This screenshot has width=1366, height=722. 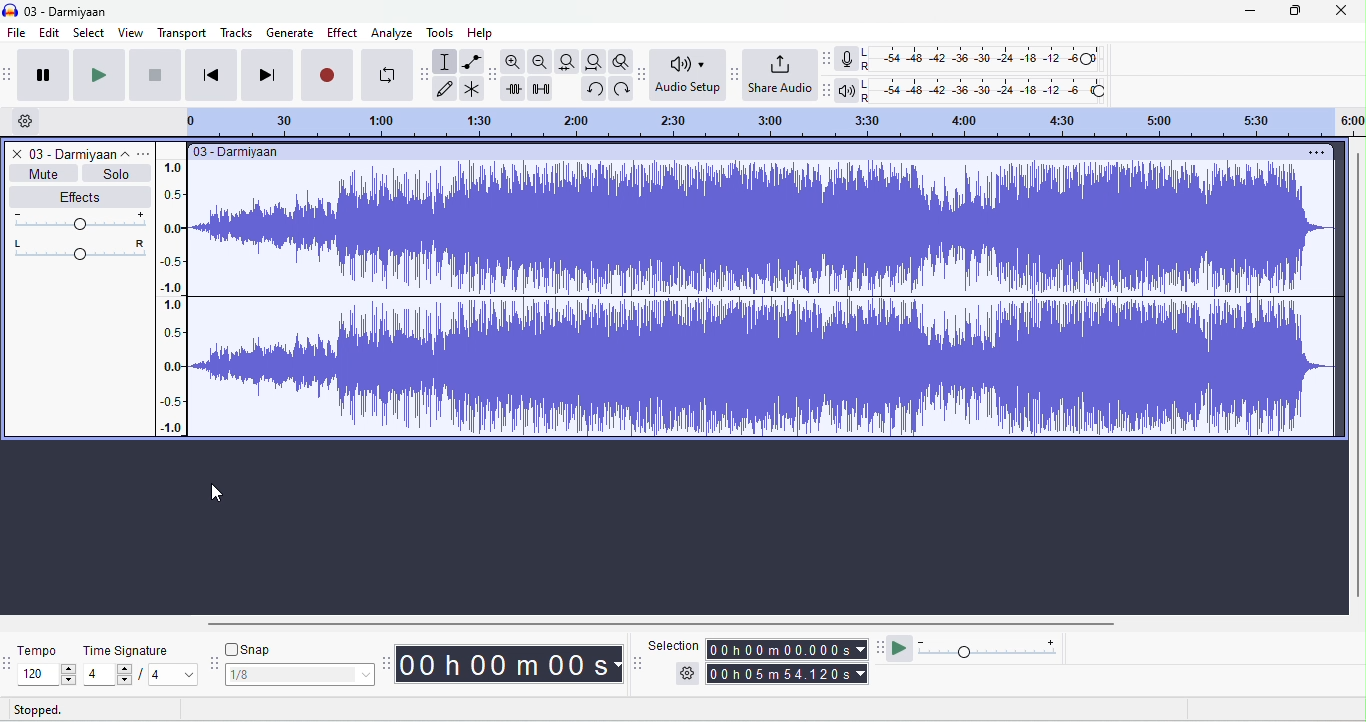 What do you see at coordinates (788, 647) in the screenshot?
I see `selection time` at bounding box center [788, 647].